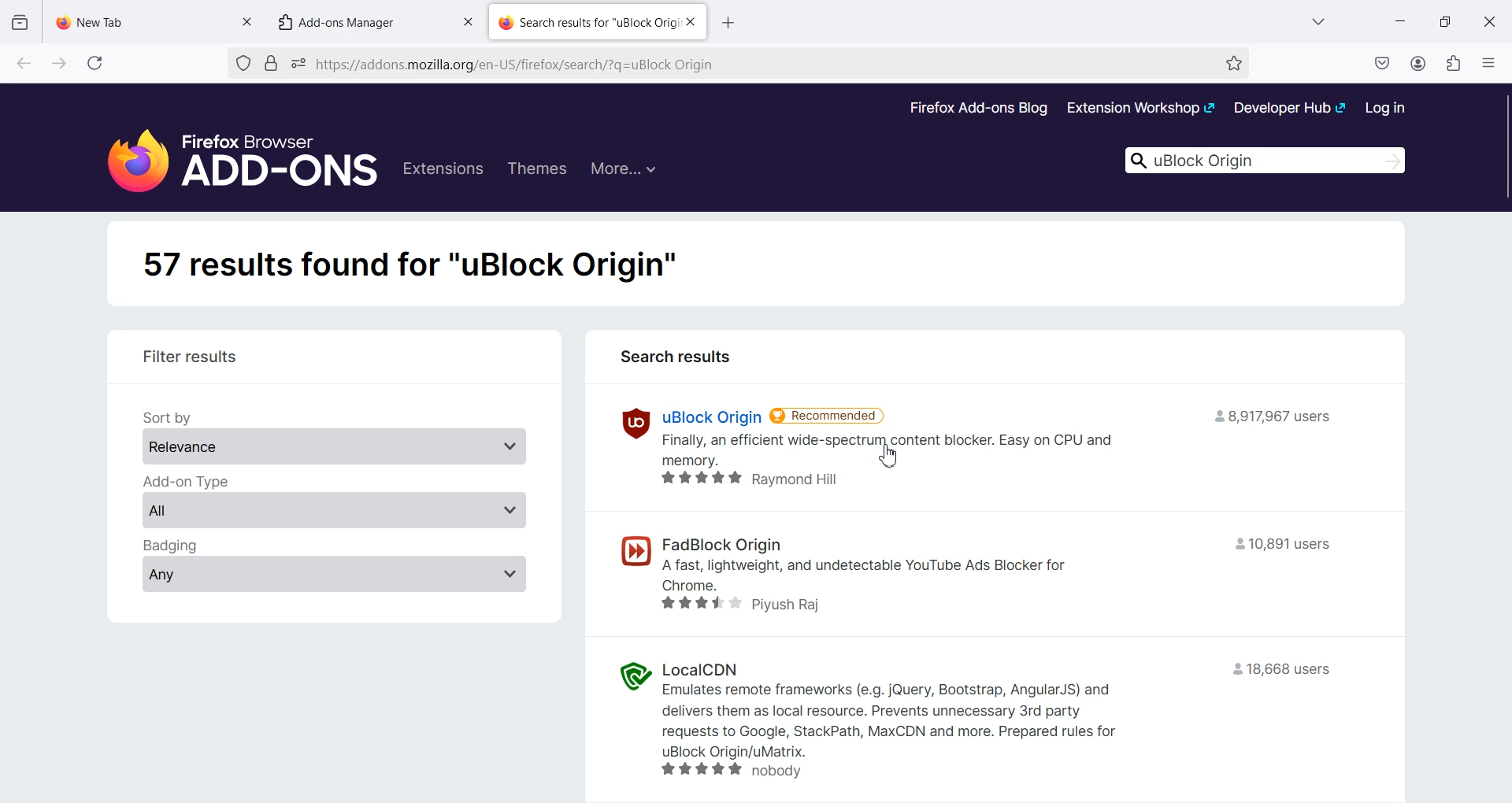 This screenshot has height=803, width=1512. What do you see at coordinates (897, 720) in the screenshot?
I see `Emulates remote frameworks (e.g. jQuery, Bootstrap, AngularJS) and delivers them as local resource. Prevents unnecessary 3rd party requests to Google, StackPath, MaxCDN and more. Prepared rules for uBlock Origin/uMatrix.` at bounding box center [897, 720].